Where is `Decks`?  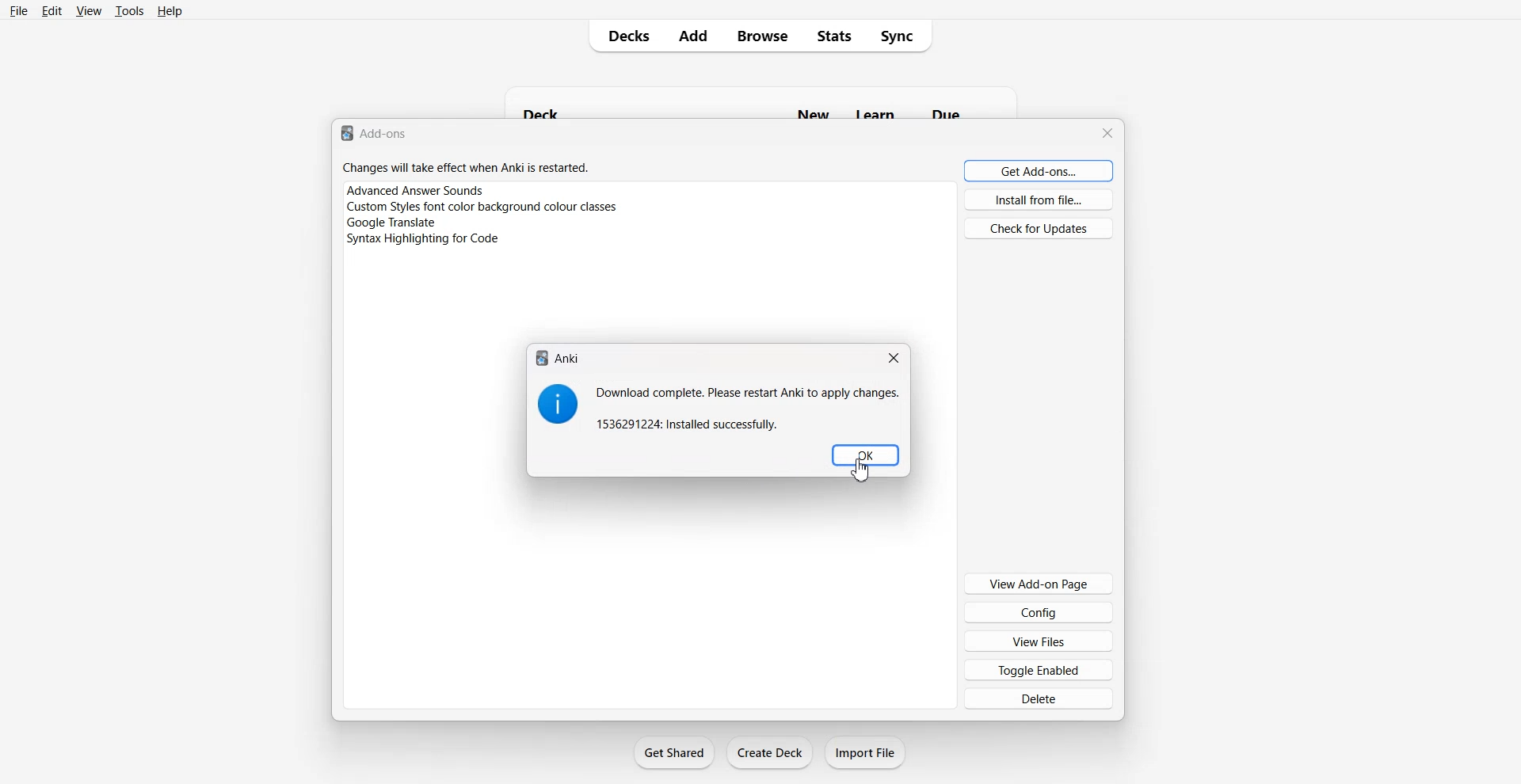
Decks is located at coordinates (623, 36).